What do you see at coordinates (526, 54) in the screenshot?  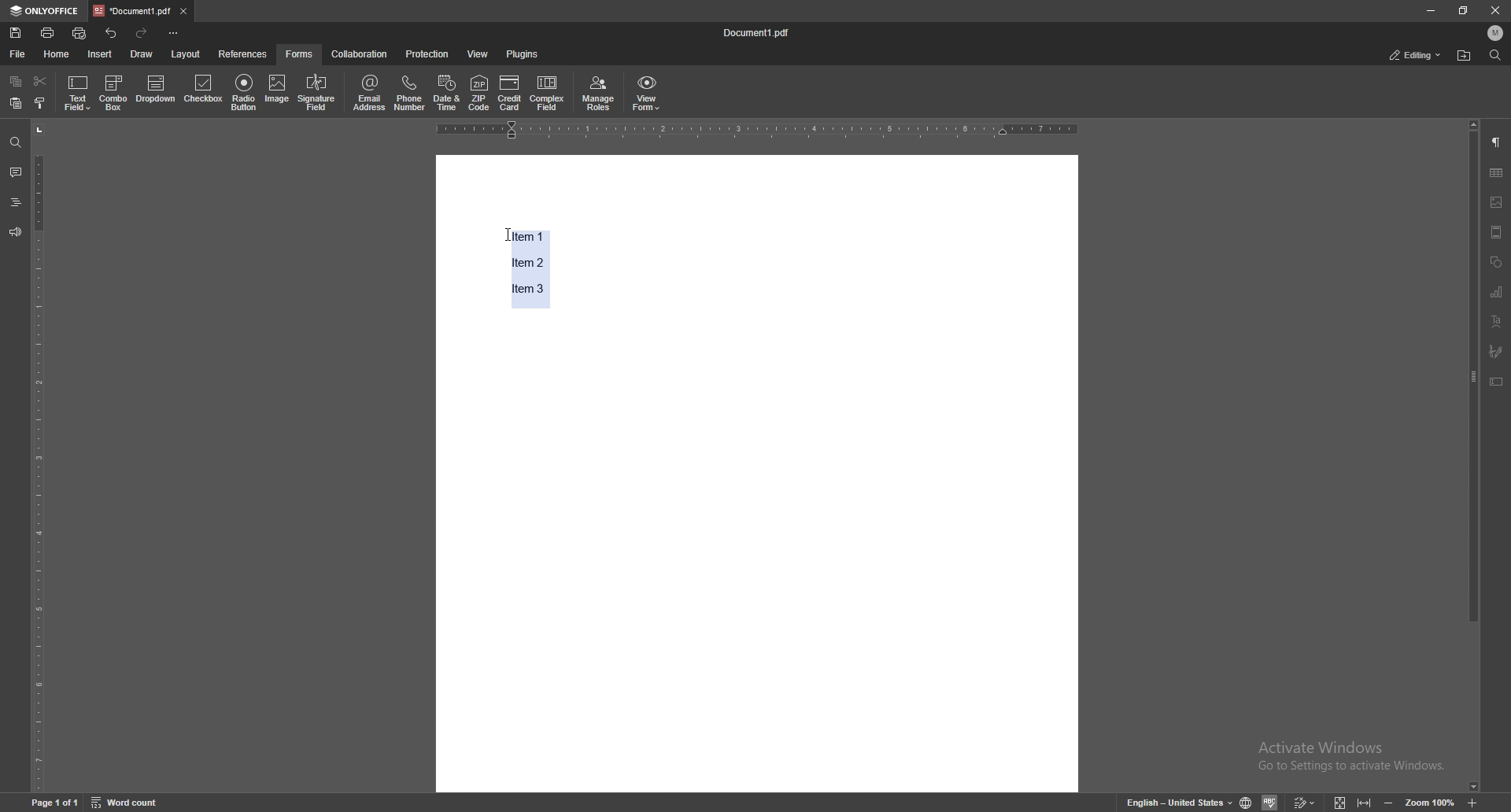 I see `plugins` at bounding box center [526, 54].